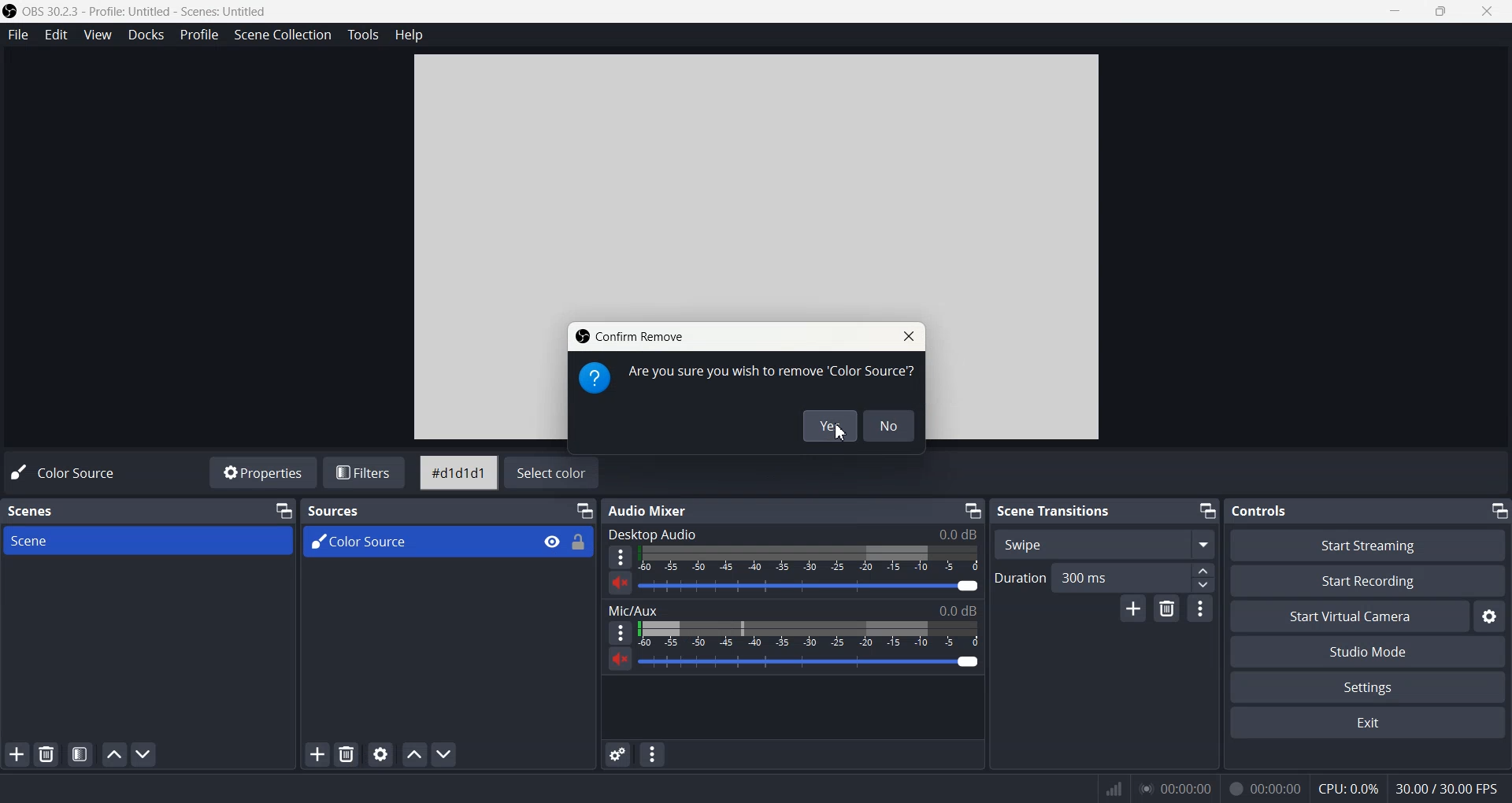 The height and width of the screenshot is (803, 1512). I want to click on Color Source, so click(71, 472).